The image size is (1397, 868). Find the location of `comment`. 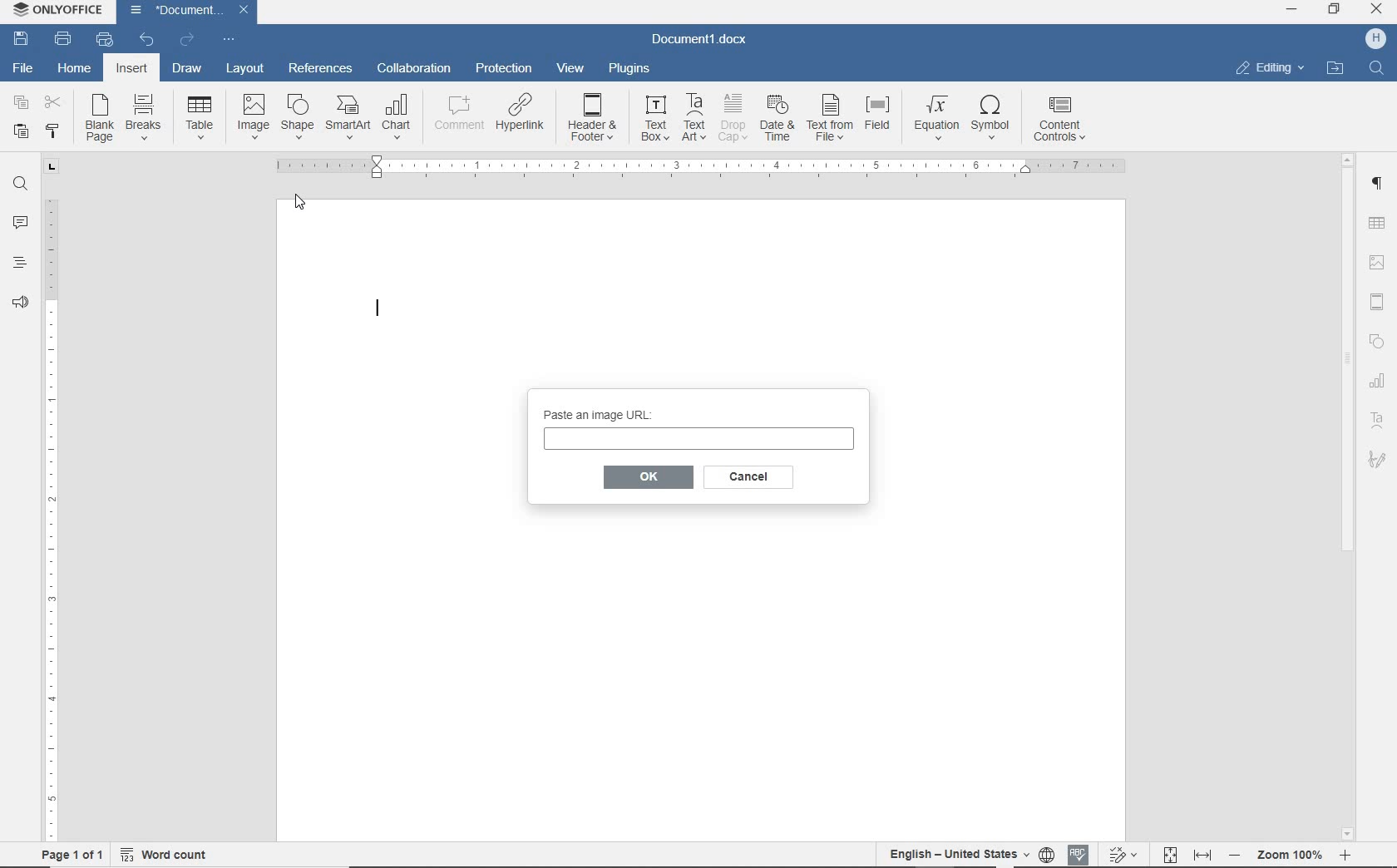

comment is located at coordinates (457, 113).